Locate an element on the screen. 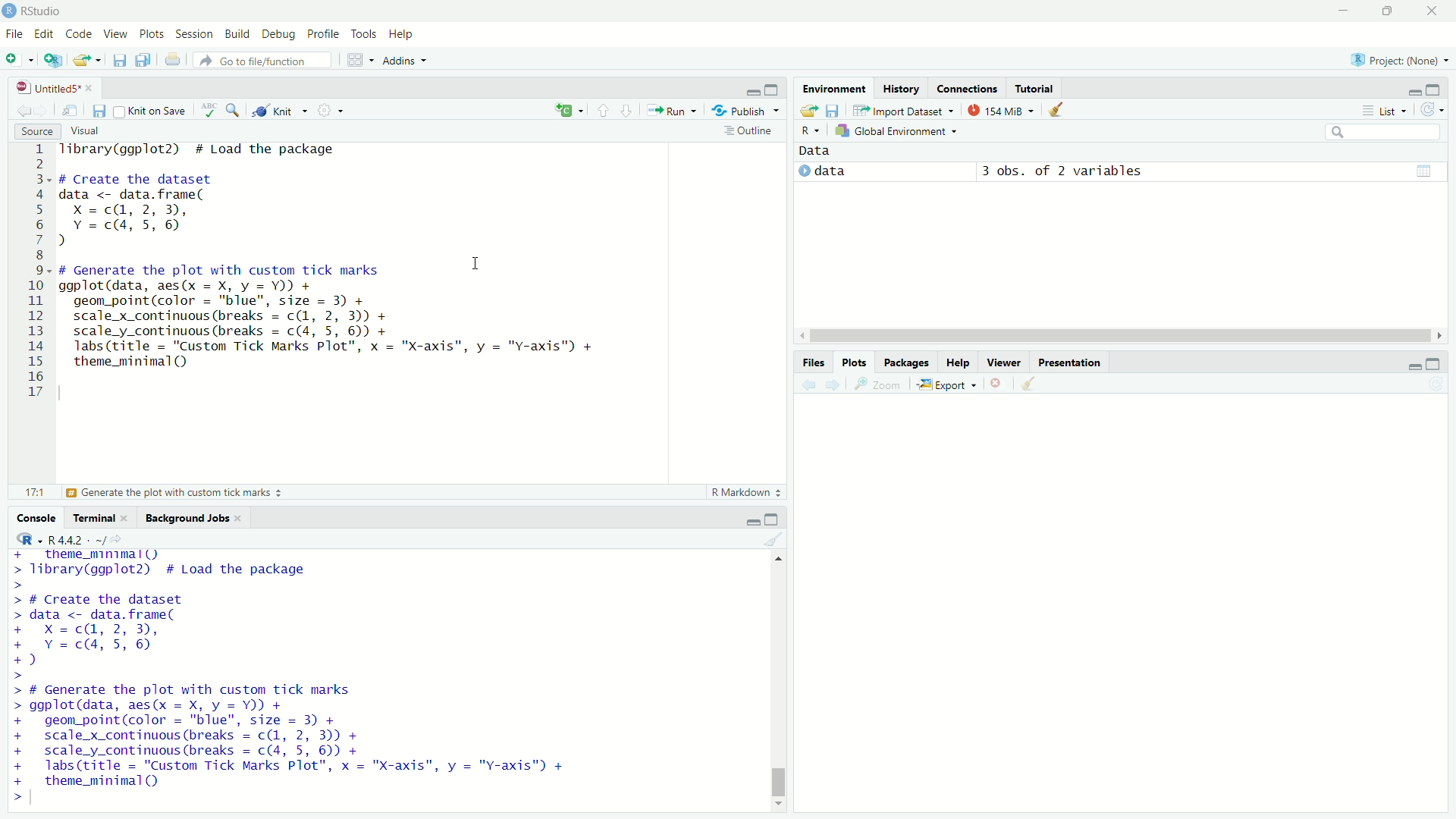 Image resolution: width=1456 pixels, height=819 pixels. save current document is located at coordinates (99, 109).